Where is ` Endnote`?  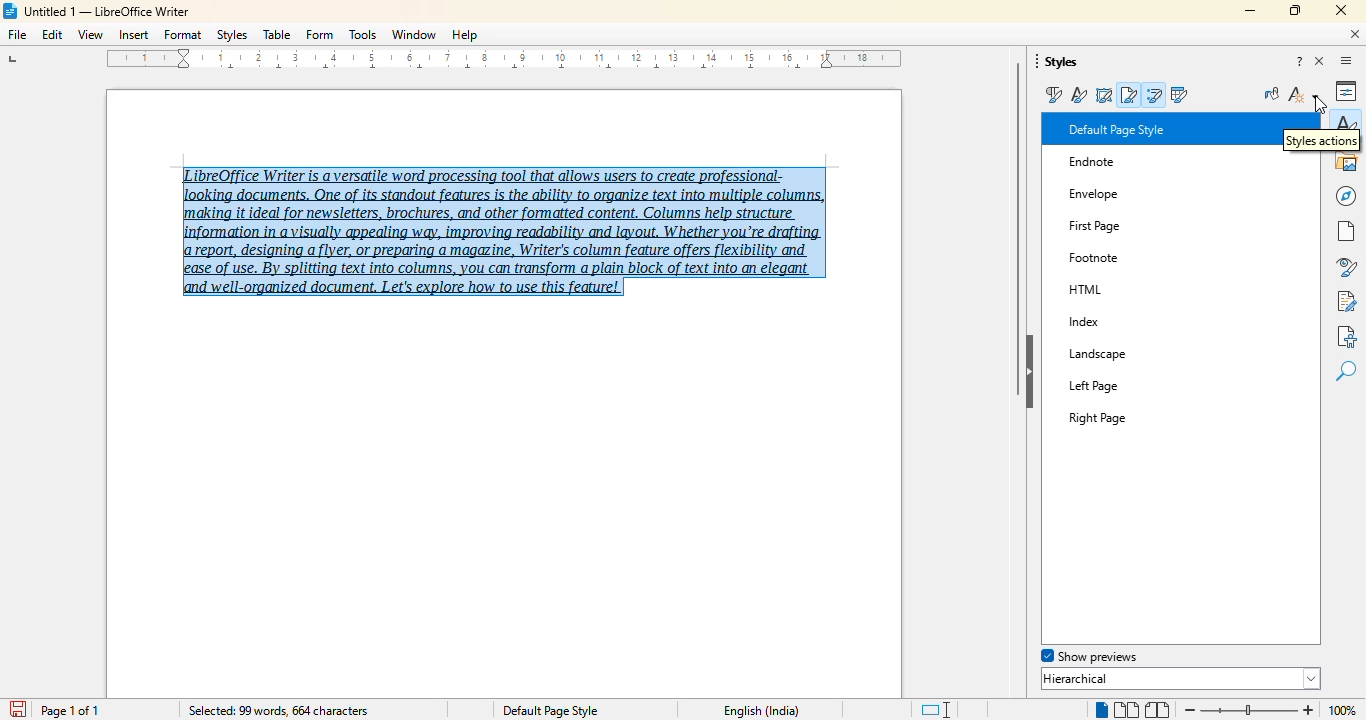
 Endnote is located at coordinates (1153, 165).